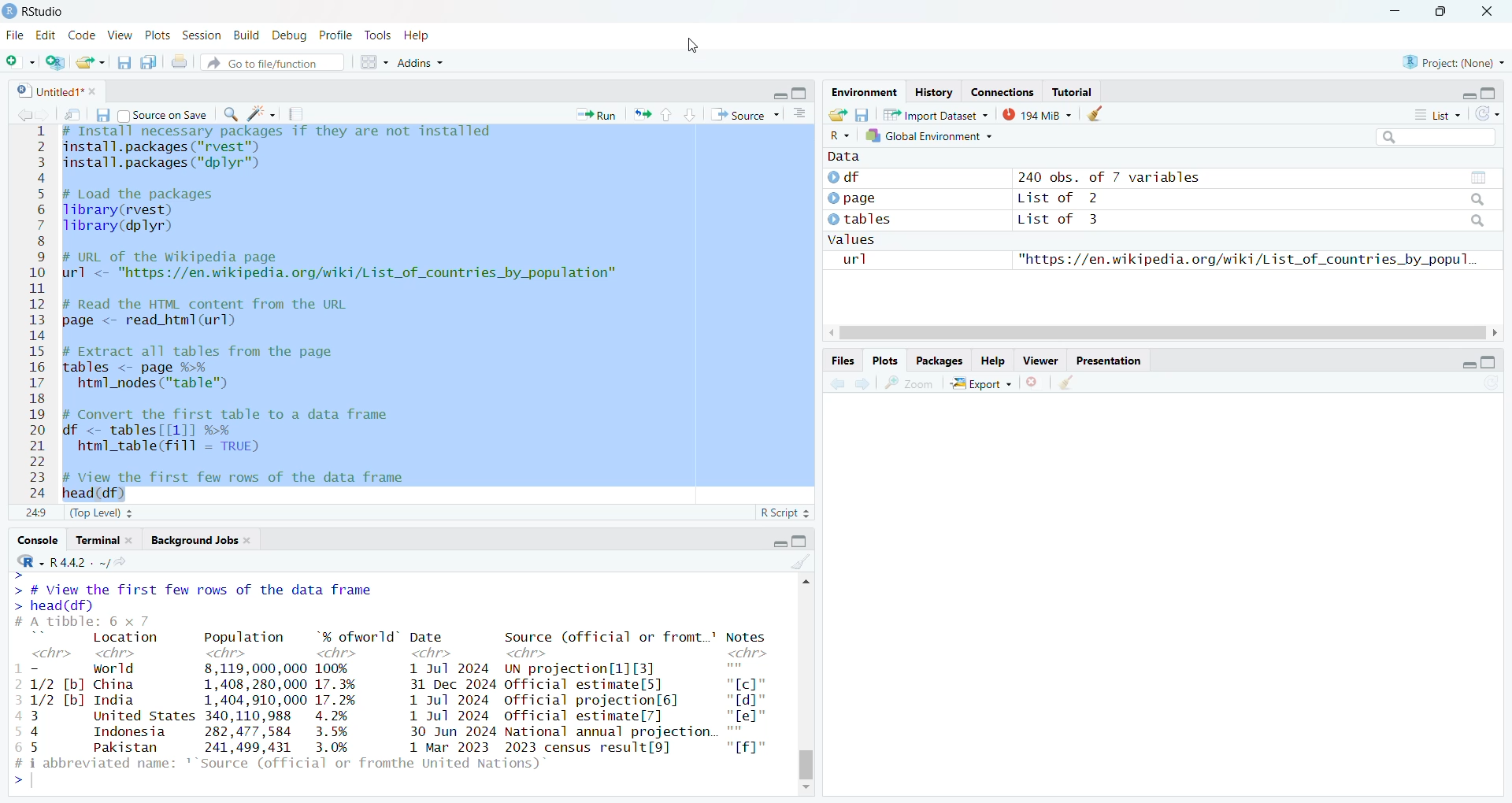  I want to click on Code, so click(81, 35).